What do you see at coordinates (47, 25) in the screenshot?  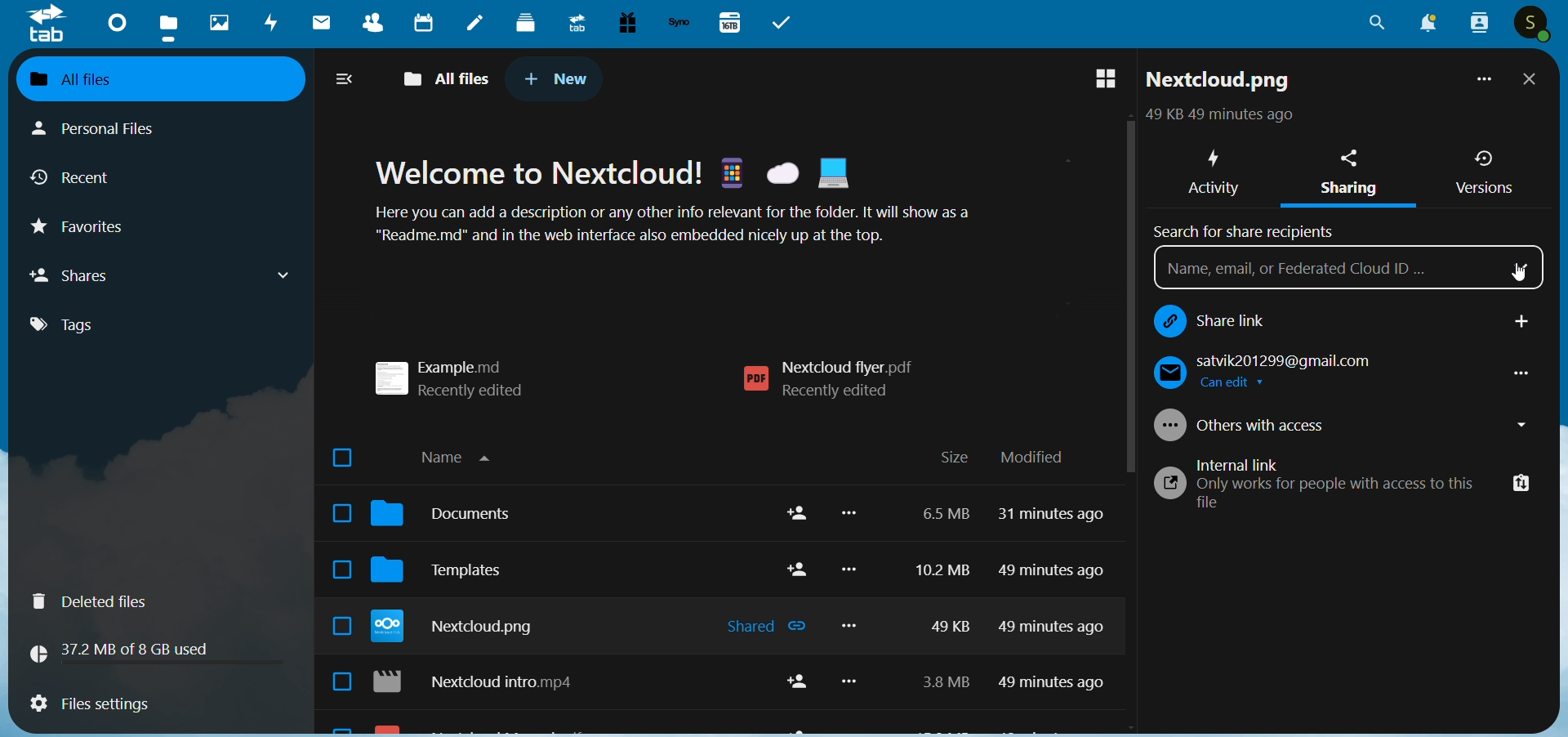 I see `logo` at bounding box center [47, 25].